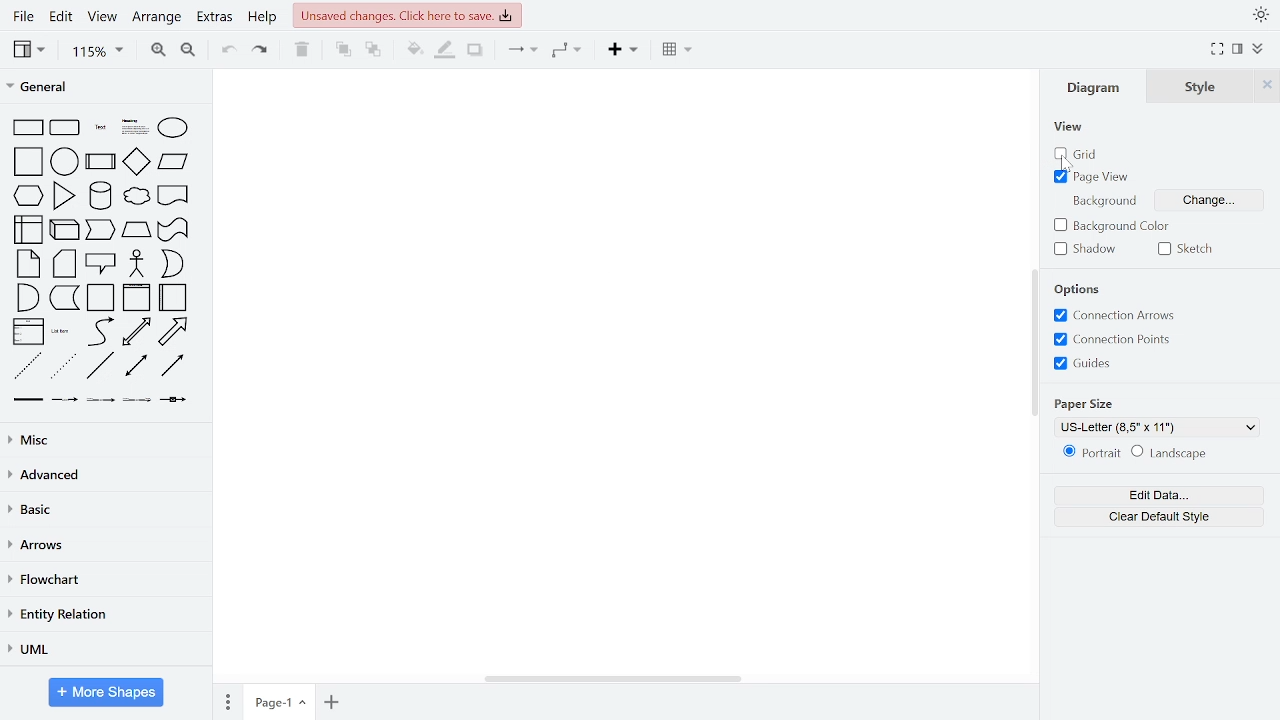 This screenshot has height=720, width=1280. I want to click on trapezoid, so click(138, 230).